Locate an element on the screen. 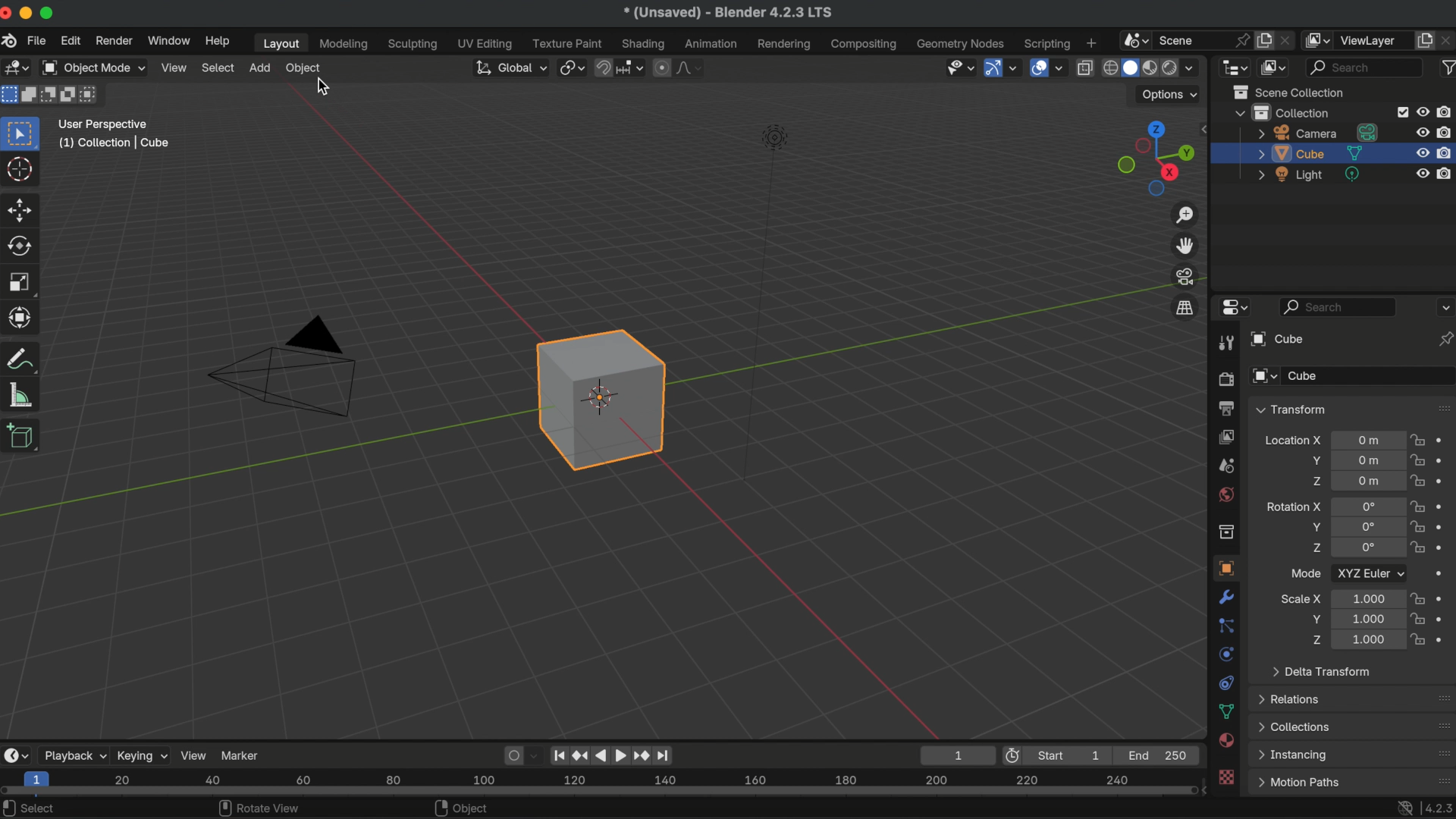 This screenshot has width=1456, height=819. Cube is located at coordinates (1370, 376).